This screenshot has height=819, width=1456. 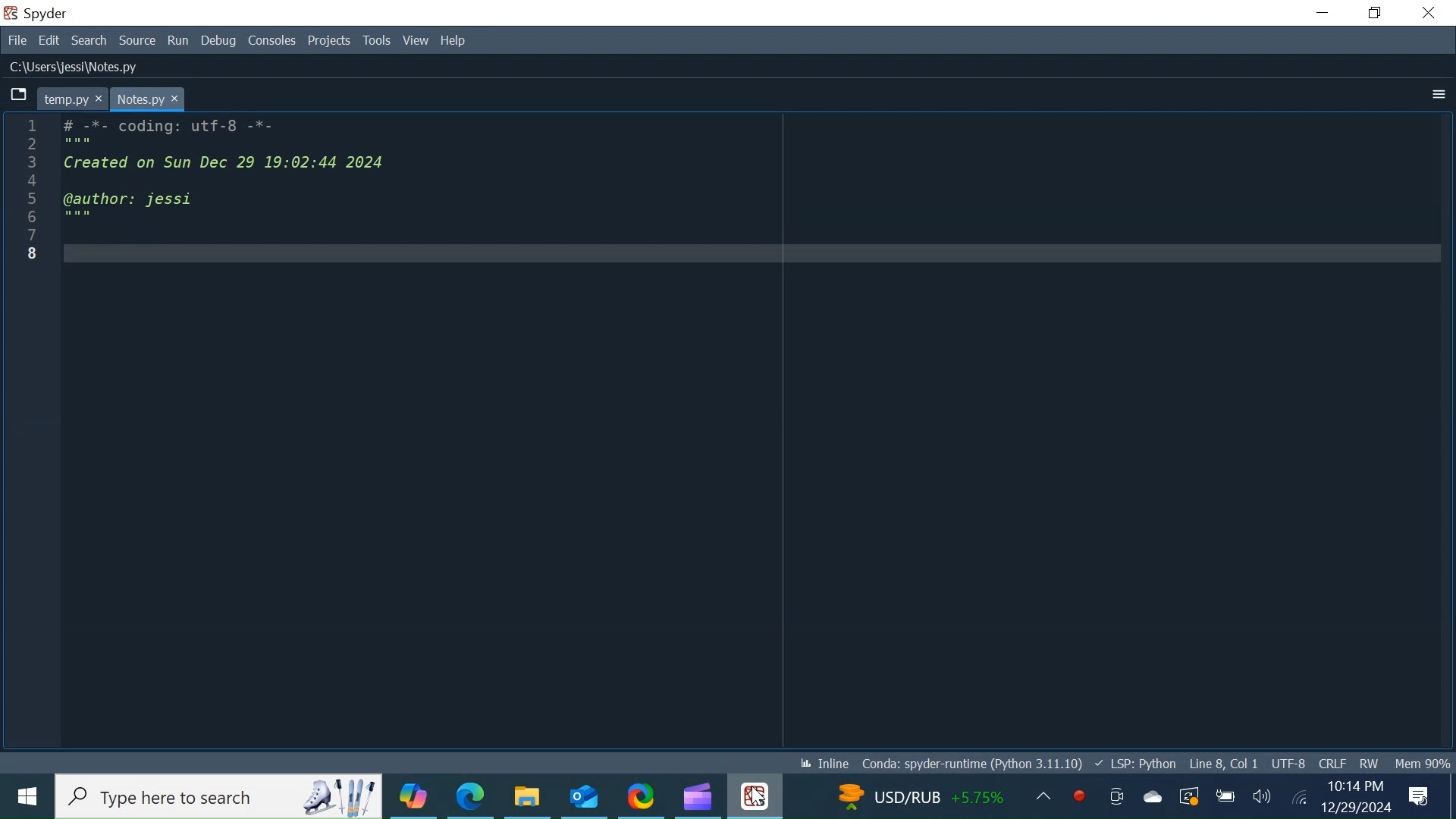 What do you see at coordinates (1420, 764) in the screenshot?
I see `Mem 90%` at bounding box center [1420, 764].